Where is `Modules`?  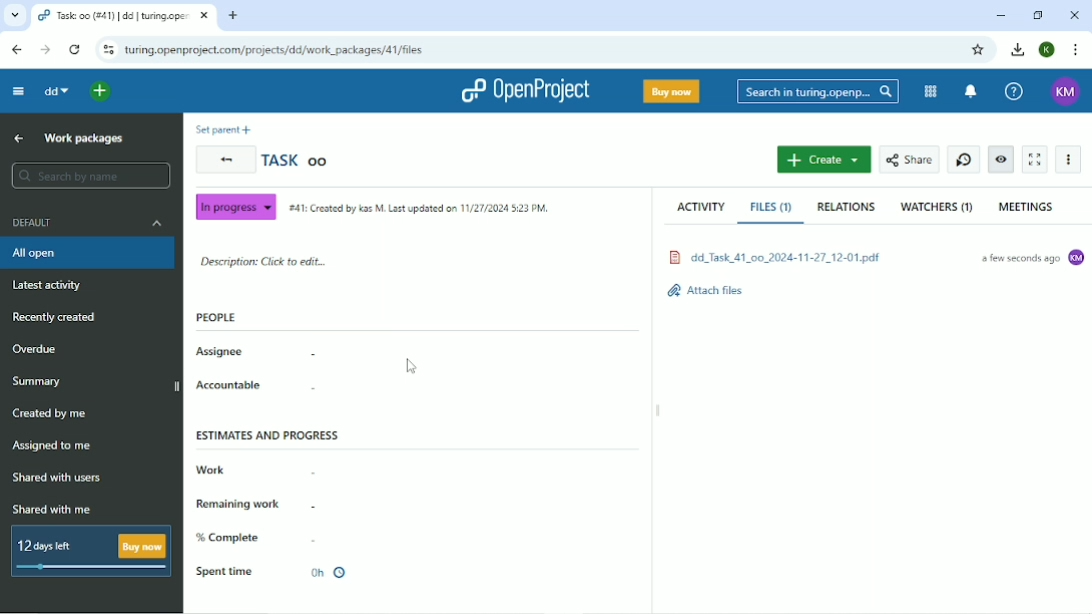 Modules is located at coordinates (931, 92).